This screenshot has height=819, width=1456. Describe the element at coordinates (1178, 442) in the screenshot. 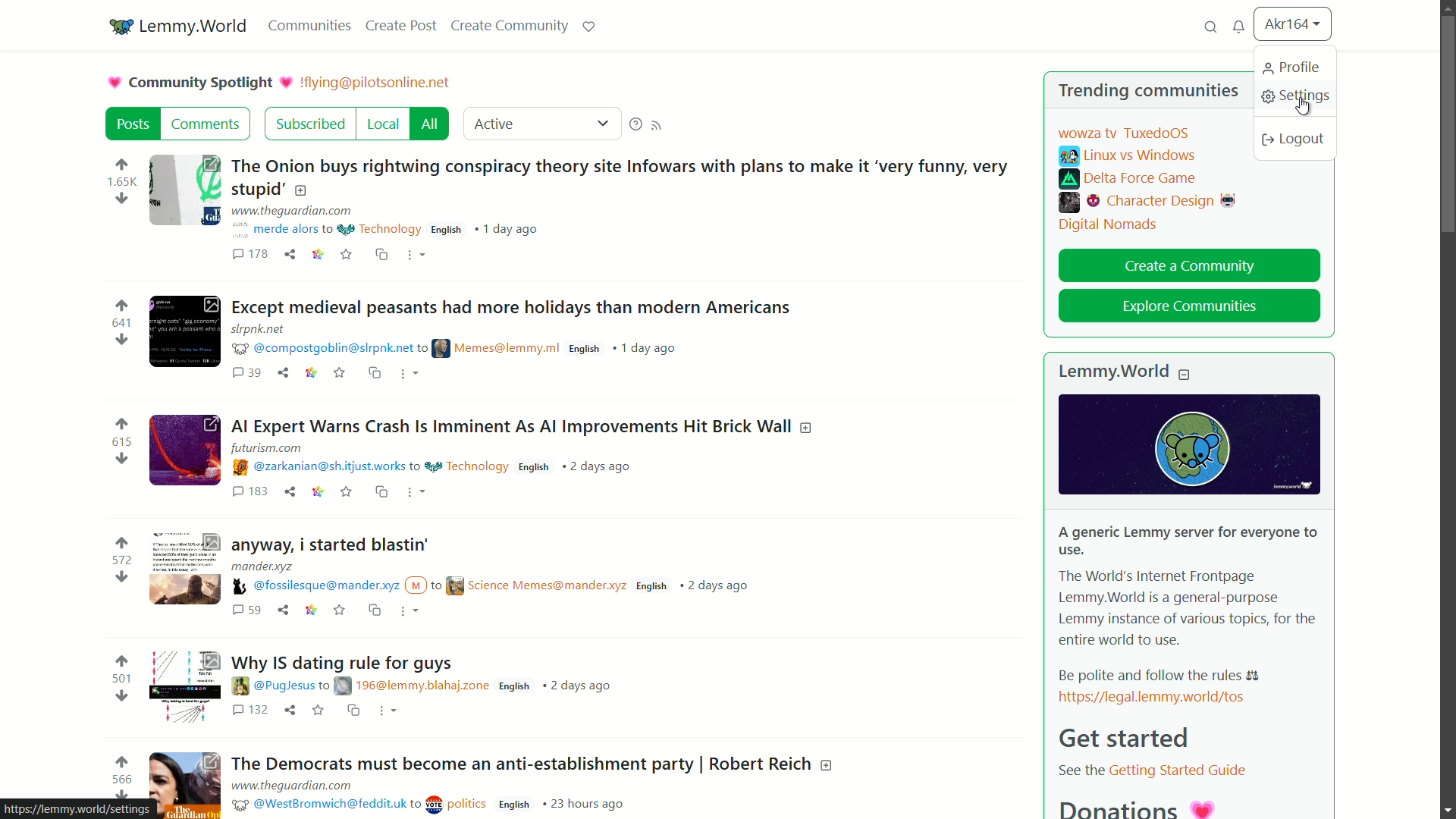

I see `image` at that location.